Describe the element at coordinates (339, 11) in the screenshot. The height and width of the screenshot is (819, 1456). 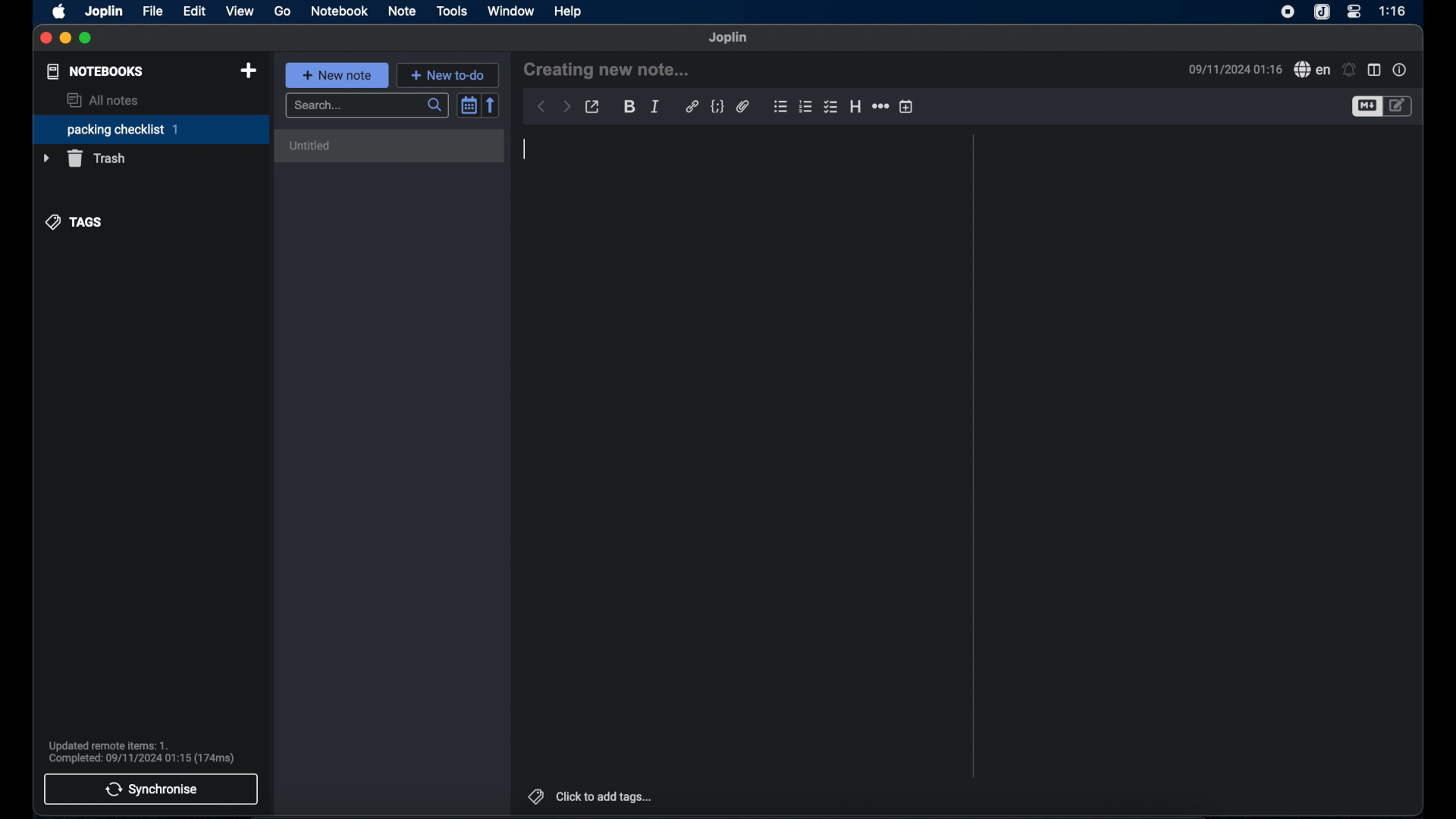
I see `notebook` at that location.